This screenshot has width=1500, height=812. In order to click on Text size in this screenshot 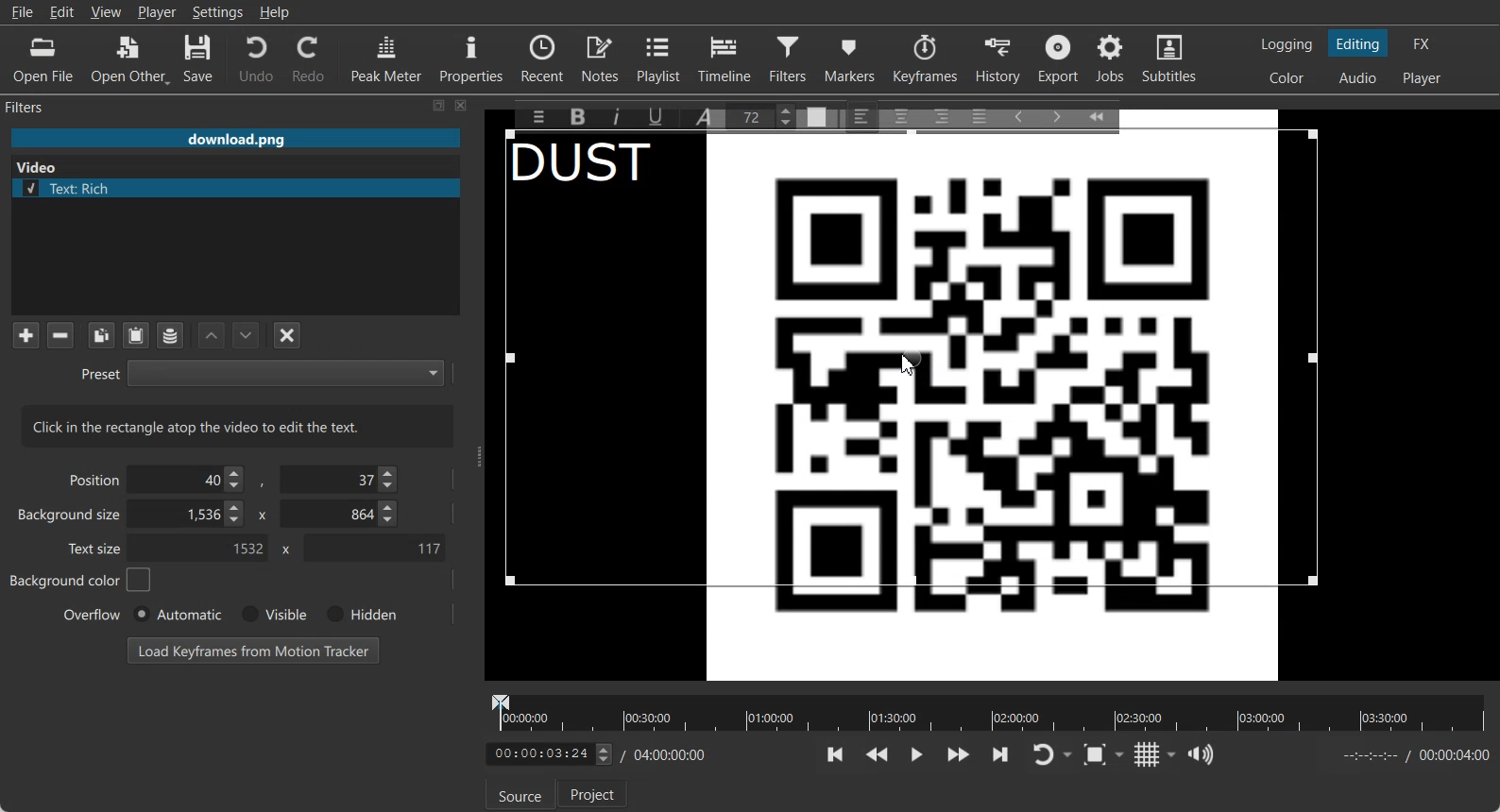, I will do `click(96, 548)`.